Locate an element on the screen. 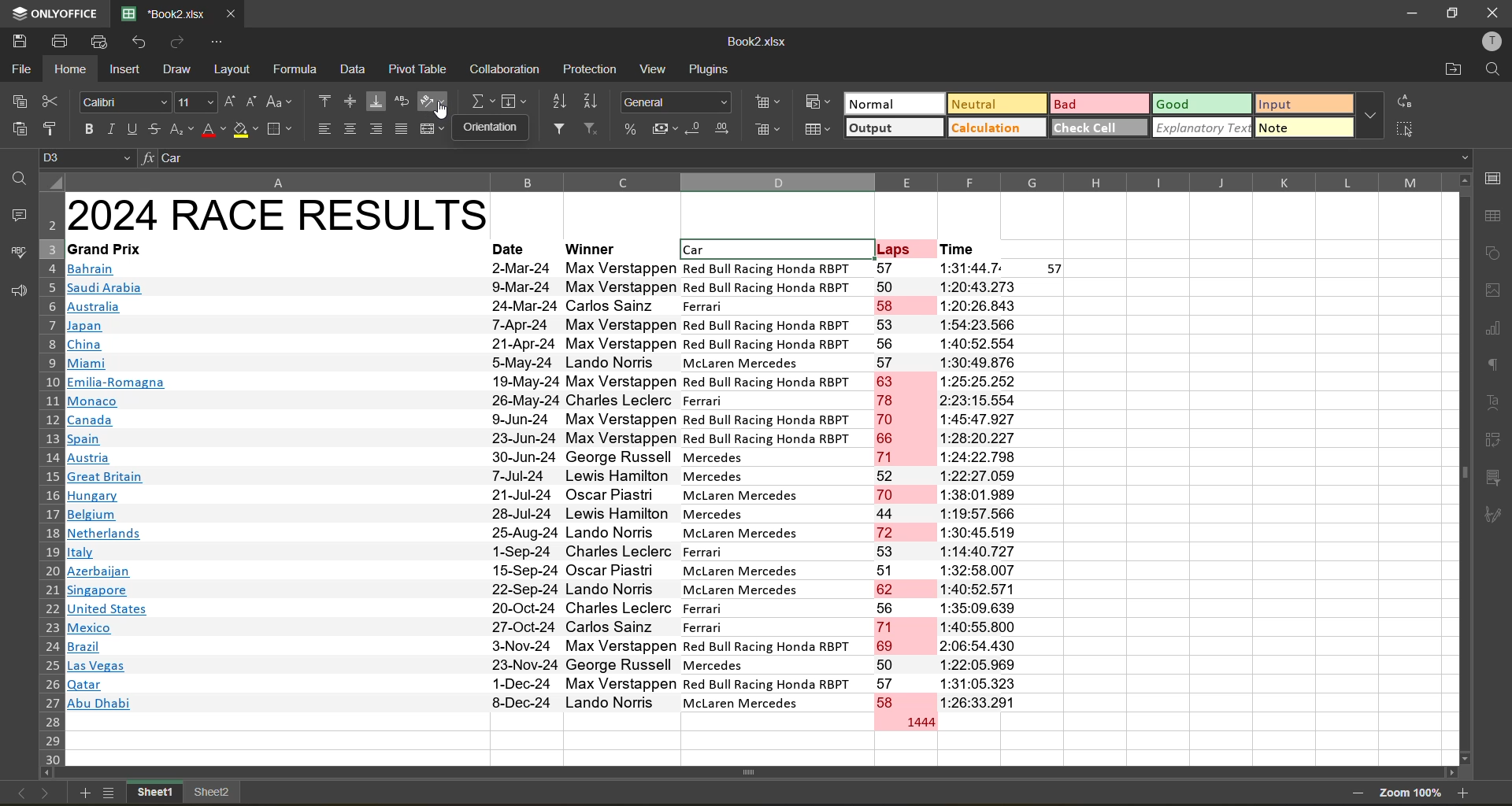 The image size is (1512, 806). add new sheet is located at coordinates (82, 793).